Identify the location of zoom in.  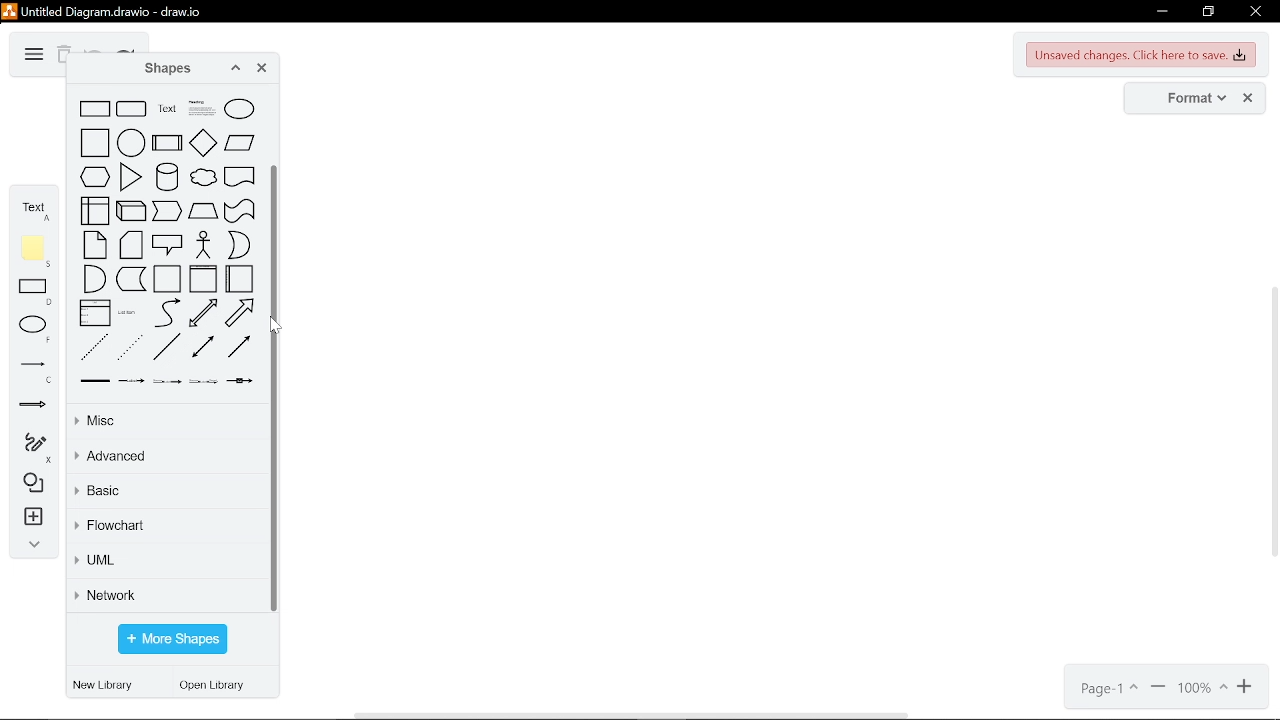
(1158, 689).